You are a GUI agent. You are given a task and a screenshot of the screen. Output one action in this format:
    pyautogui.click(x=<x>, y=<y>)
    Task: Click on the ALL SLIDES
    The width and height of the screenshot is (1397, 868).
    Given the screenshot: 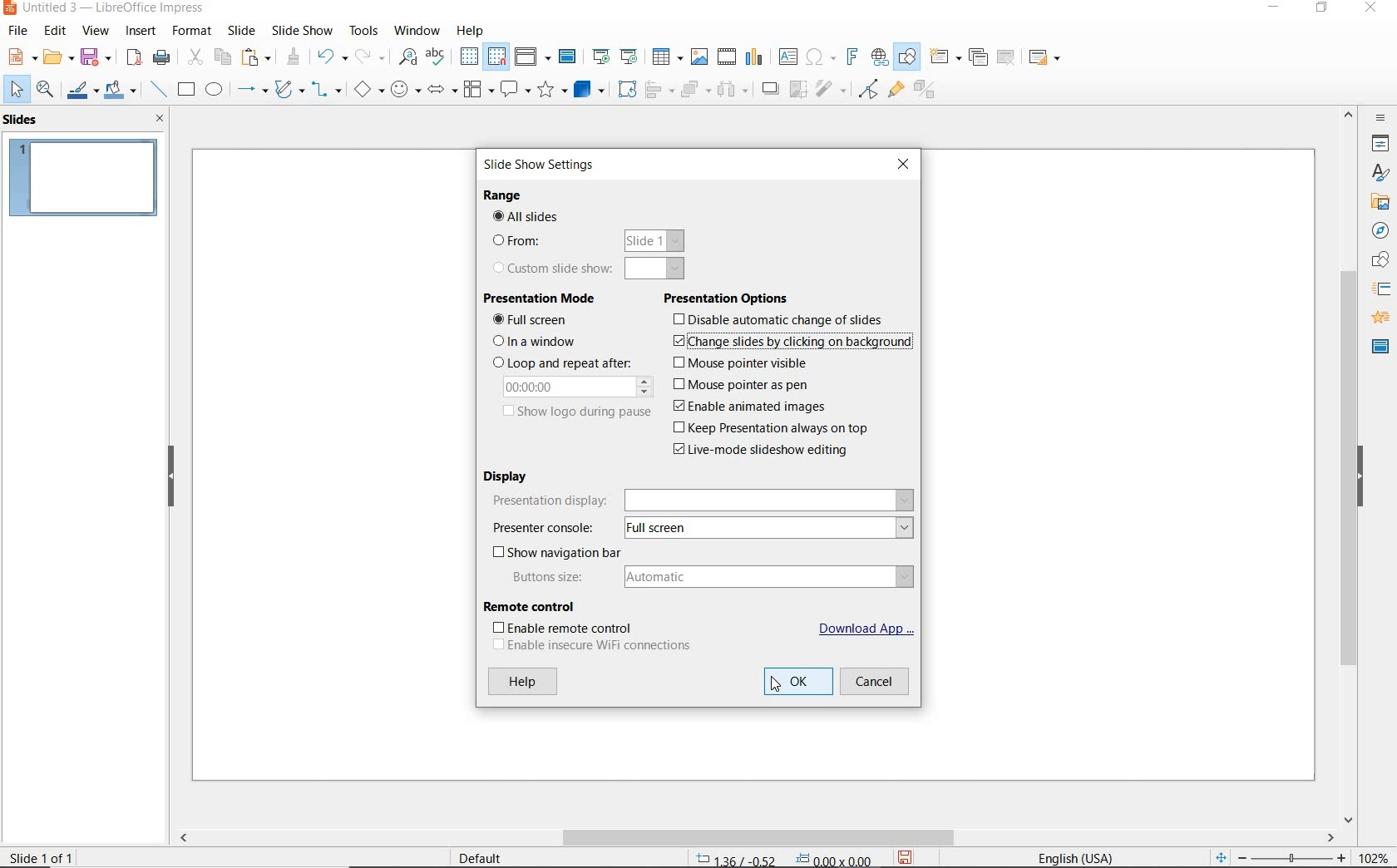 What is the action you would take?
    pyautogui.click(x=521, y=216)
    